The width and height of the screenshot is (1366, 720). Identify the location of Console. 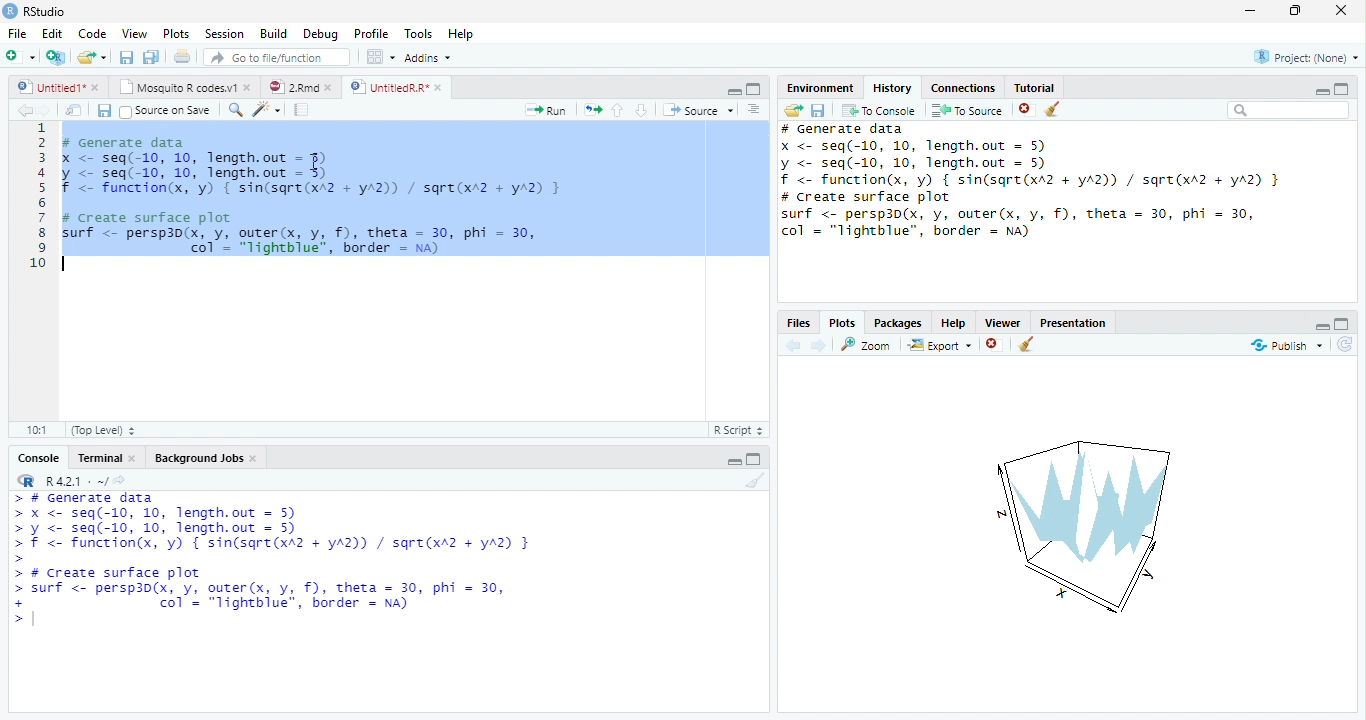
(39, 458).